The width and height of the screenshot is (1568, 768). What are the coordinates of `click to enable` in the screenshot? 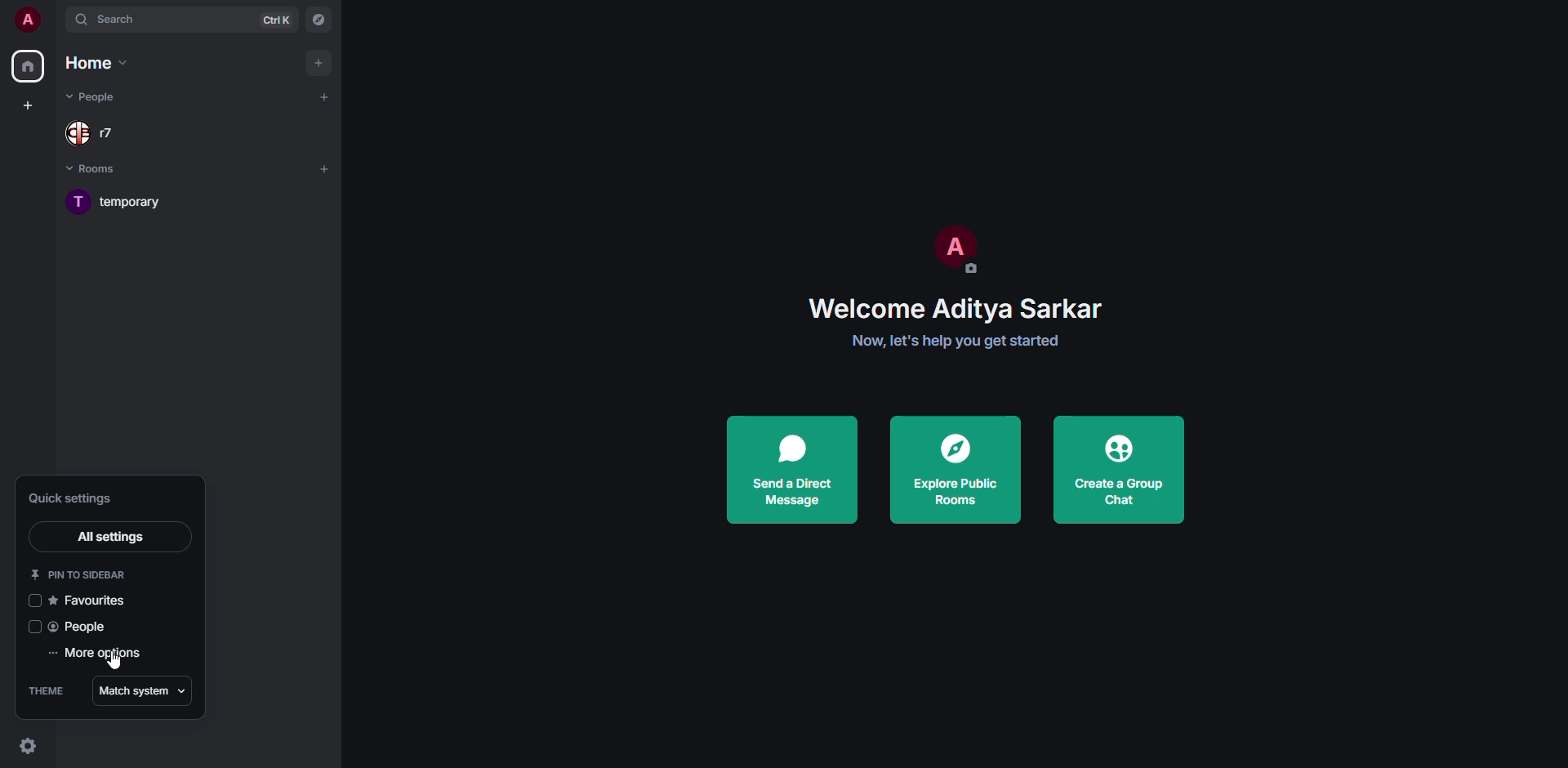 It's located at (33, 601).